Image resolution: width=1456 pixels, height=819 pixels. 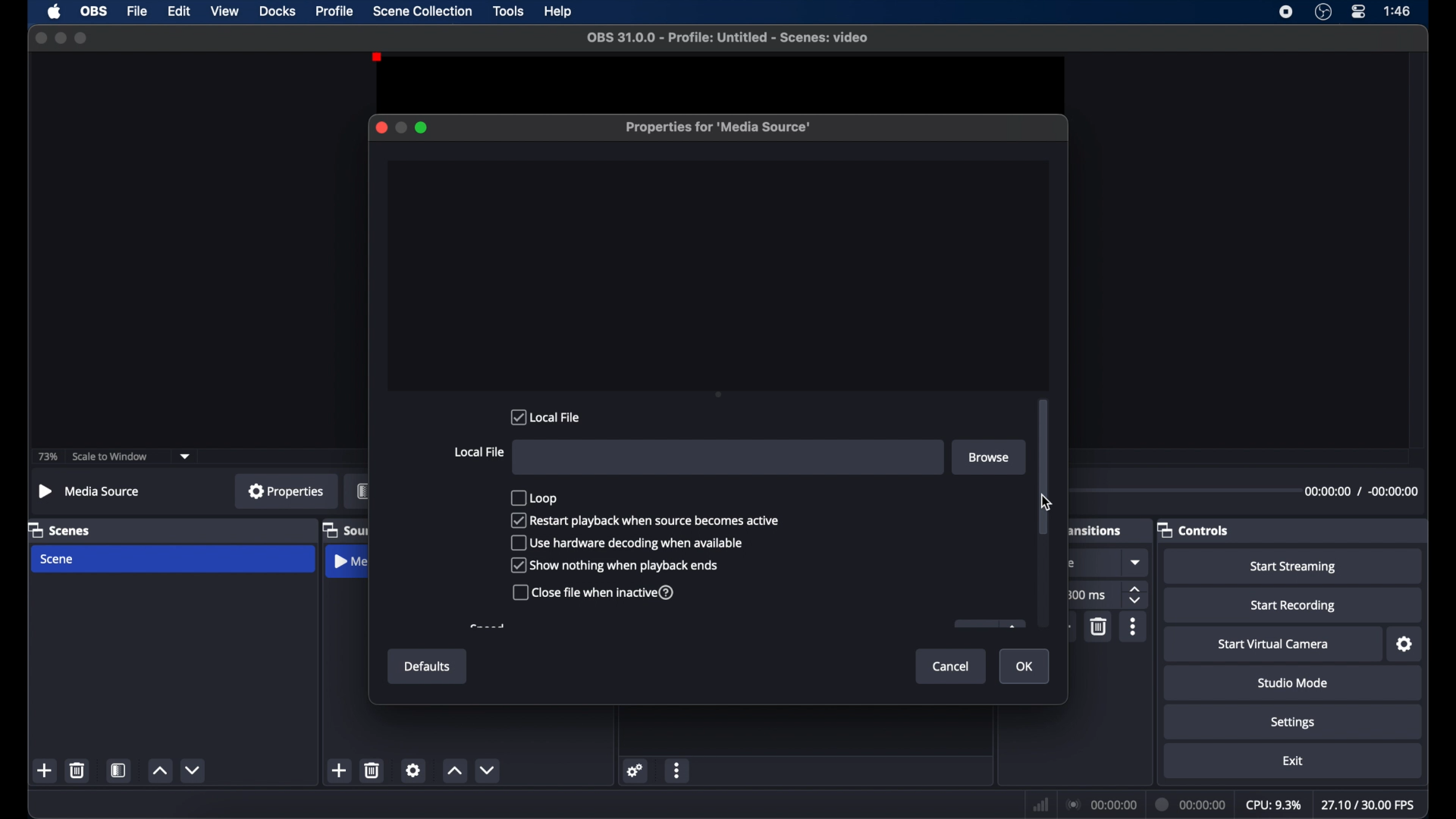 What do you see at coordinates (1100, 626) in the screenshot?
I see `delete` at bounding box center [1100, 626].